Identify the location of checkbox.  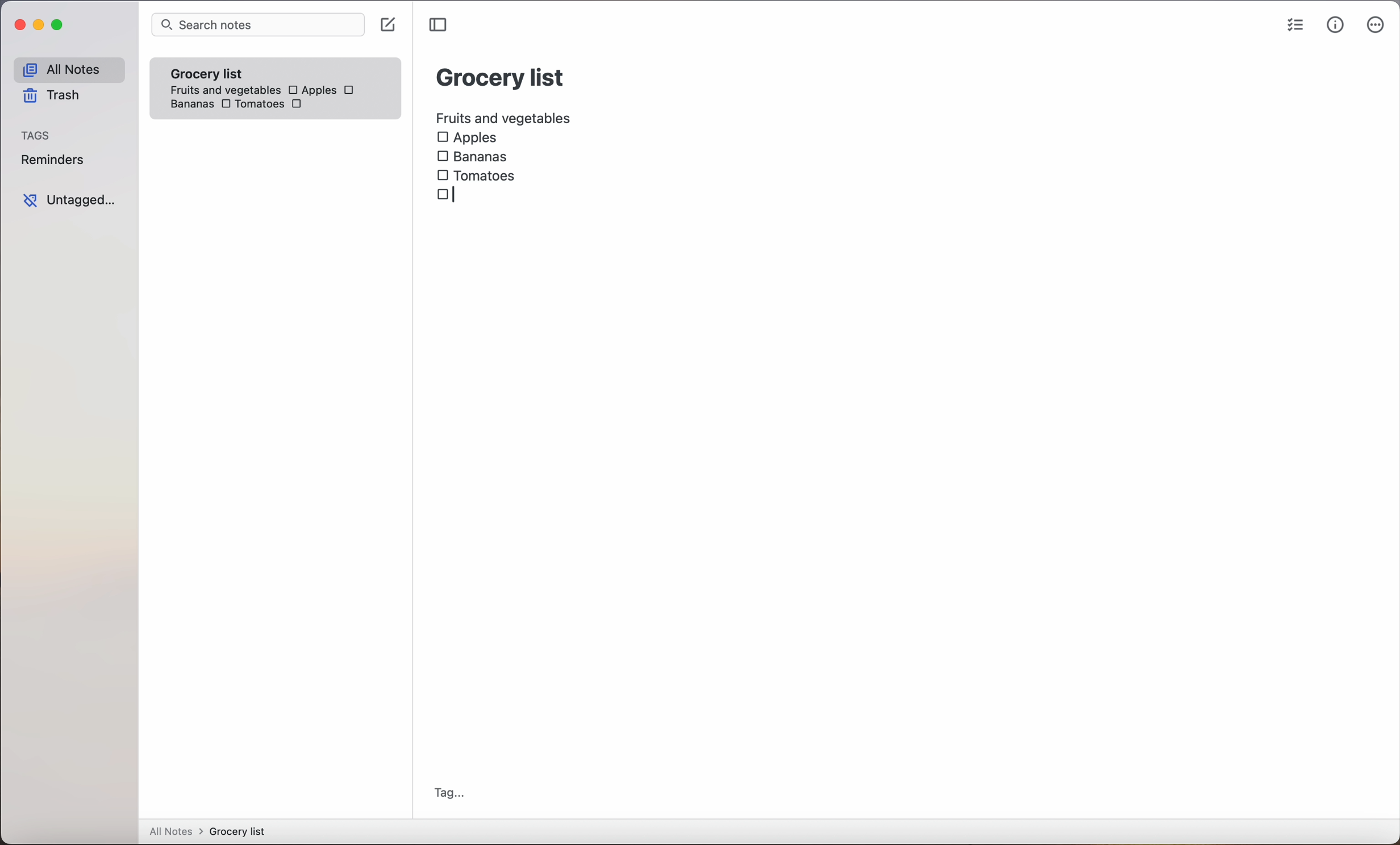
(447, 196).